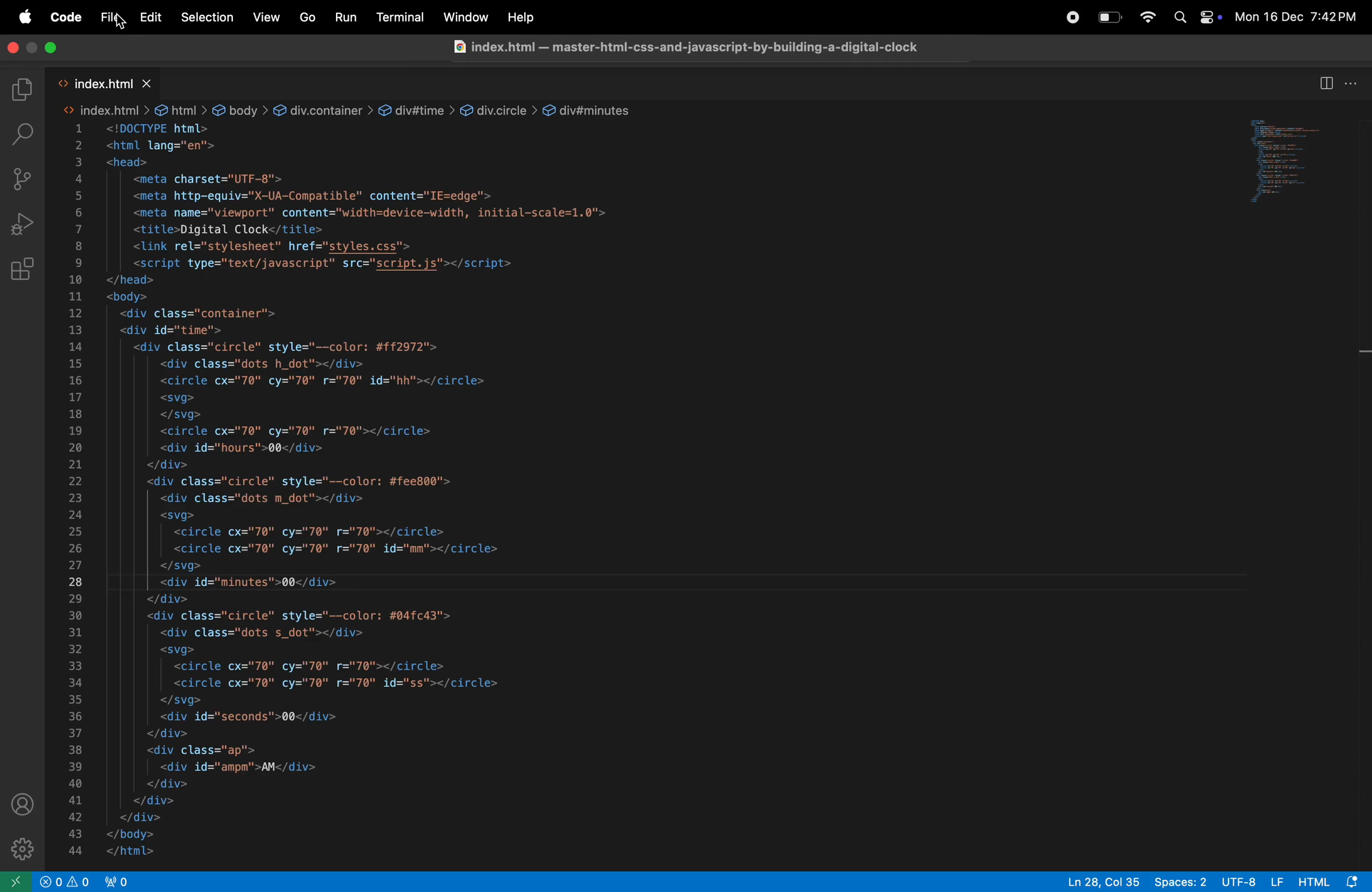 Image resolution: width=1372 pixels, height=892 pixels. What do you see at coordinates (66, 17) in the screenshot?
I see `code` at bounding box center [66, 17].